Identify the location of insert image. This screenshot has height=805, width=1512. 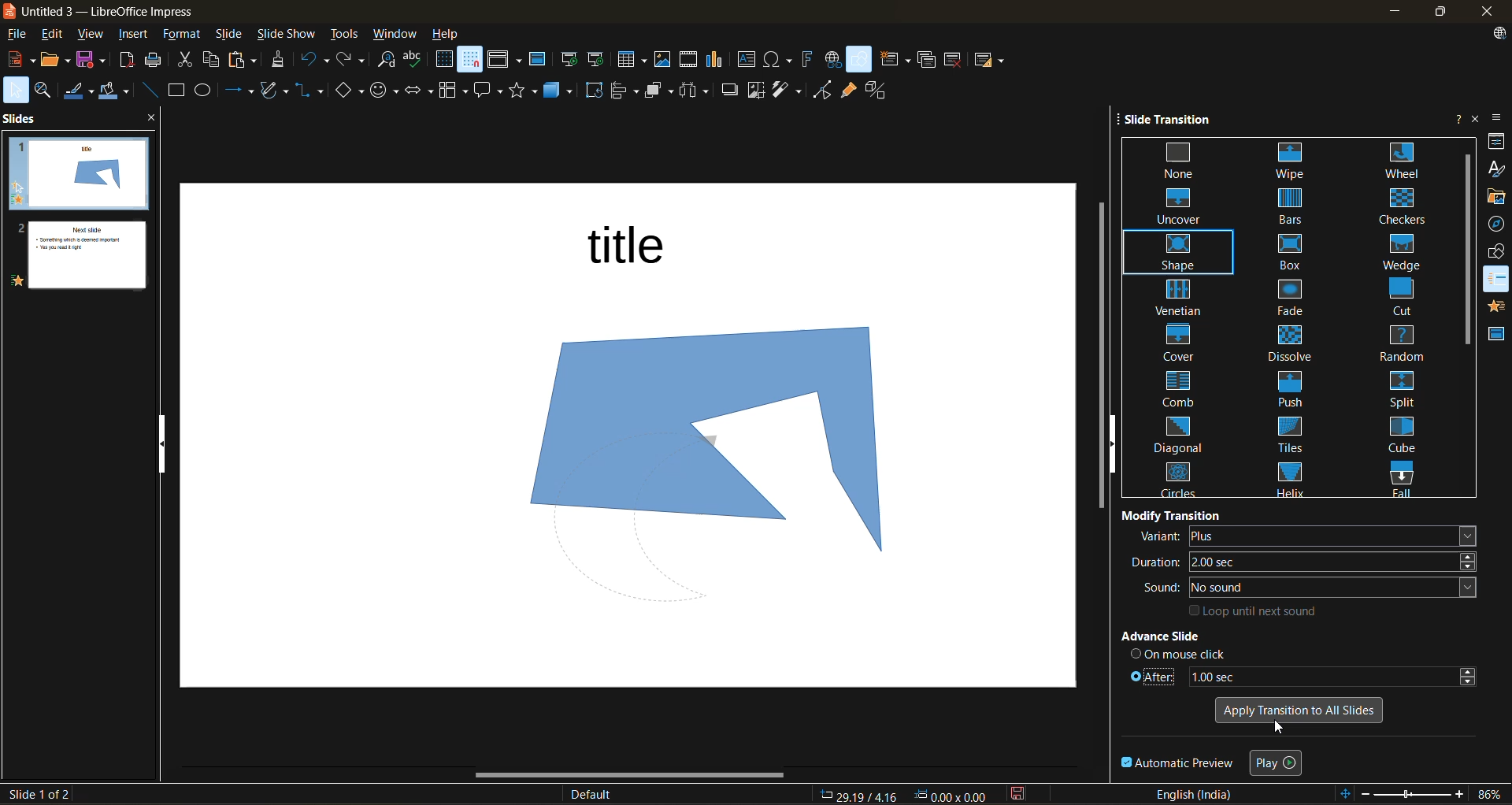
(665, 58).